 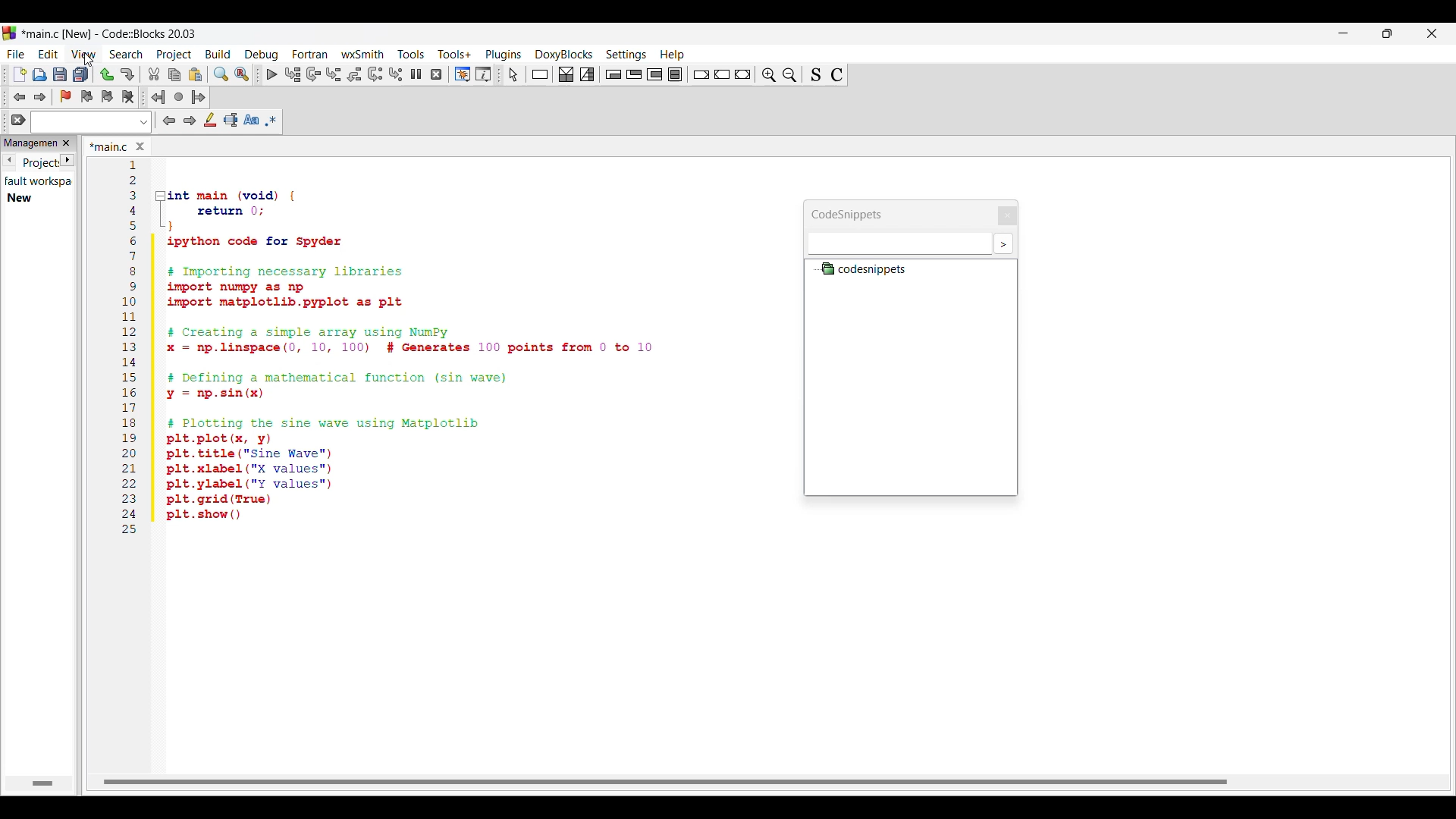 I want to click on Find, so click(x=221, y=74).